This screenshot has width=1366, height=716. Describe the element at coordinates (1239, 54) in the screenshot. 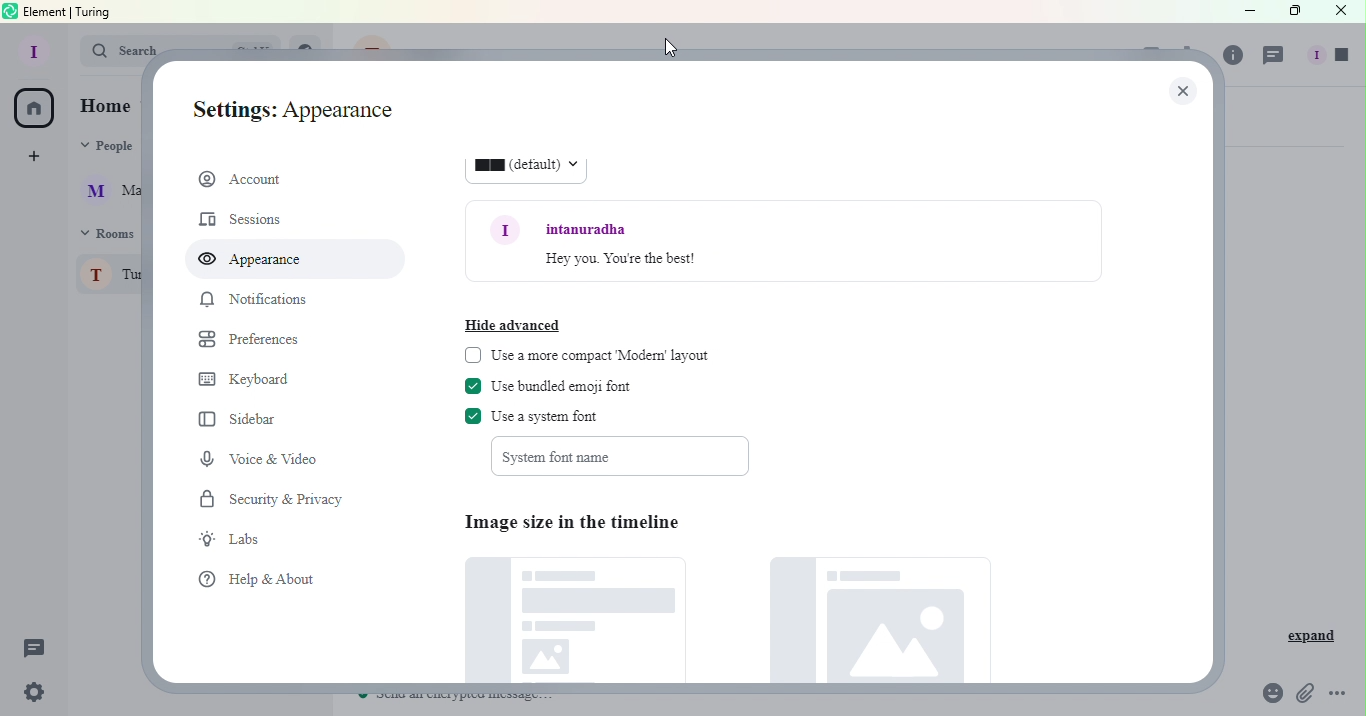

I see `Room info` at that location.